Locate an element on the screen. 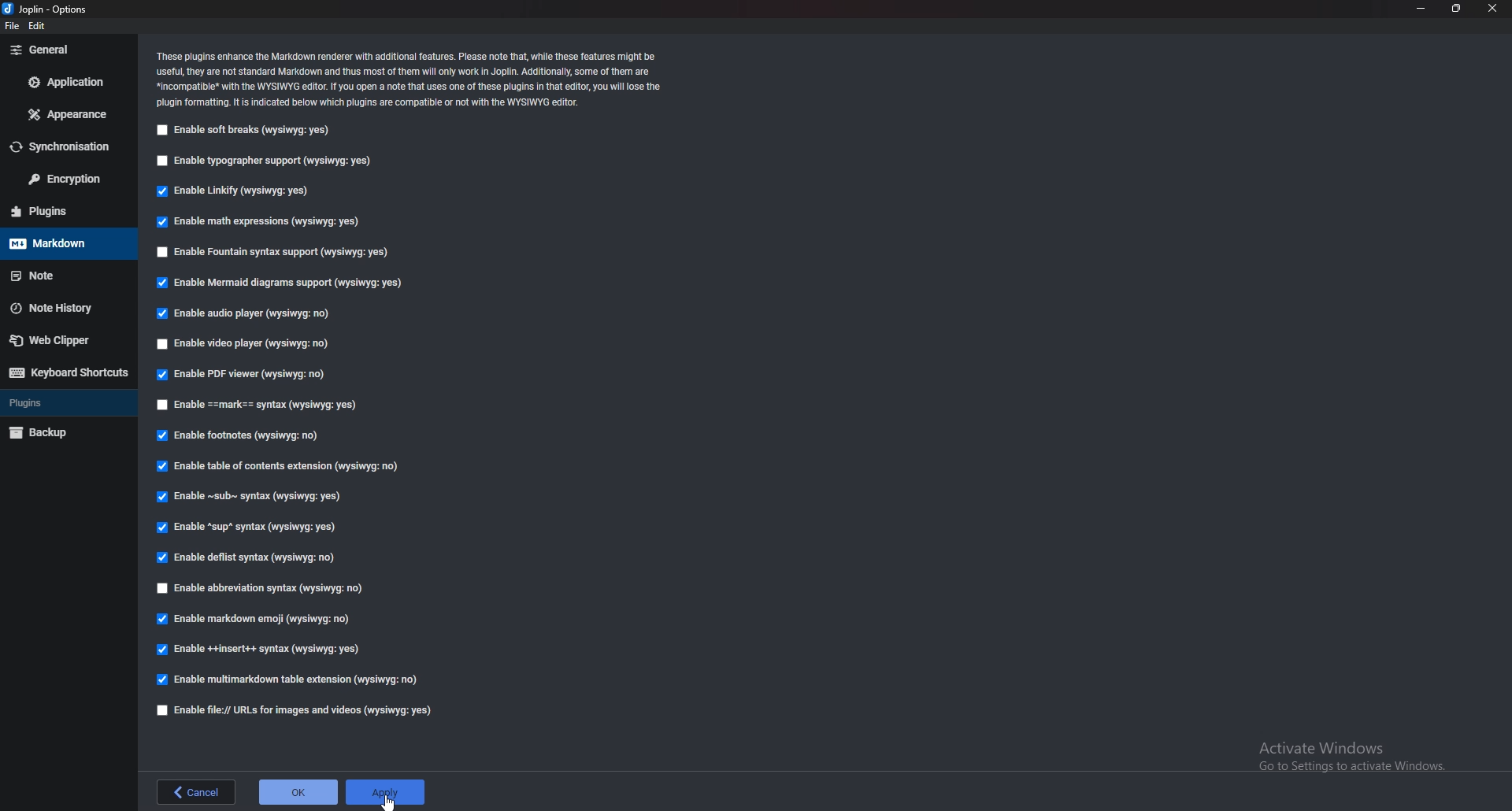  Apply is located at coordinates (386, 794).